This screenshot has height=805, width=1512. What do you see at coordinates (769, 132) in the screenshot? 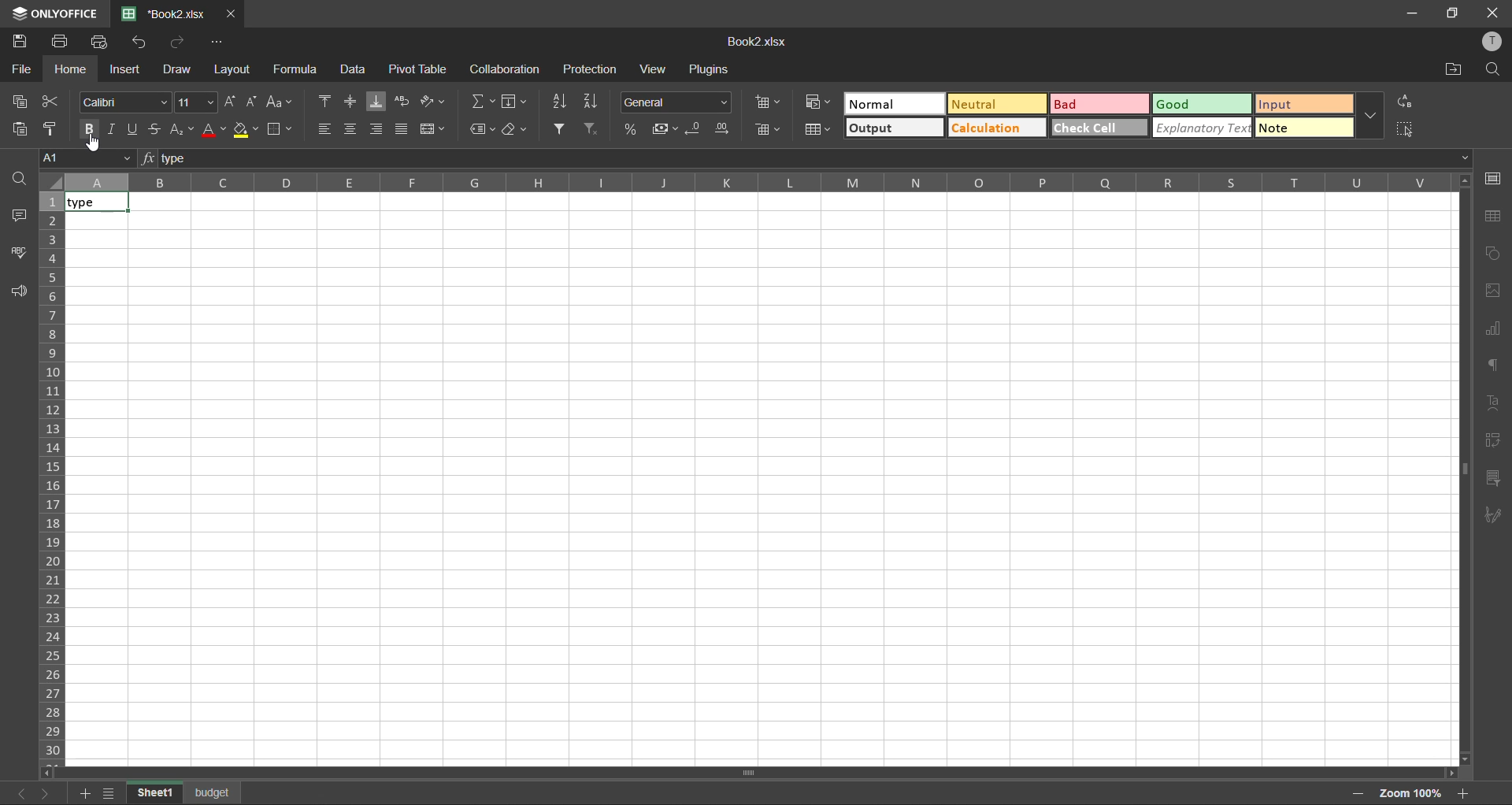
I see `delete cells` at bounding box center [769, 132].